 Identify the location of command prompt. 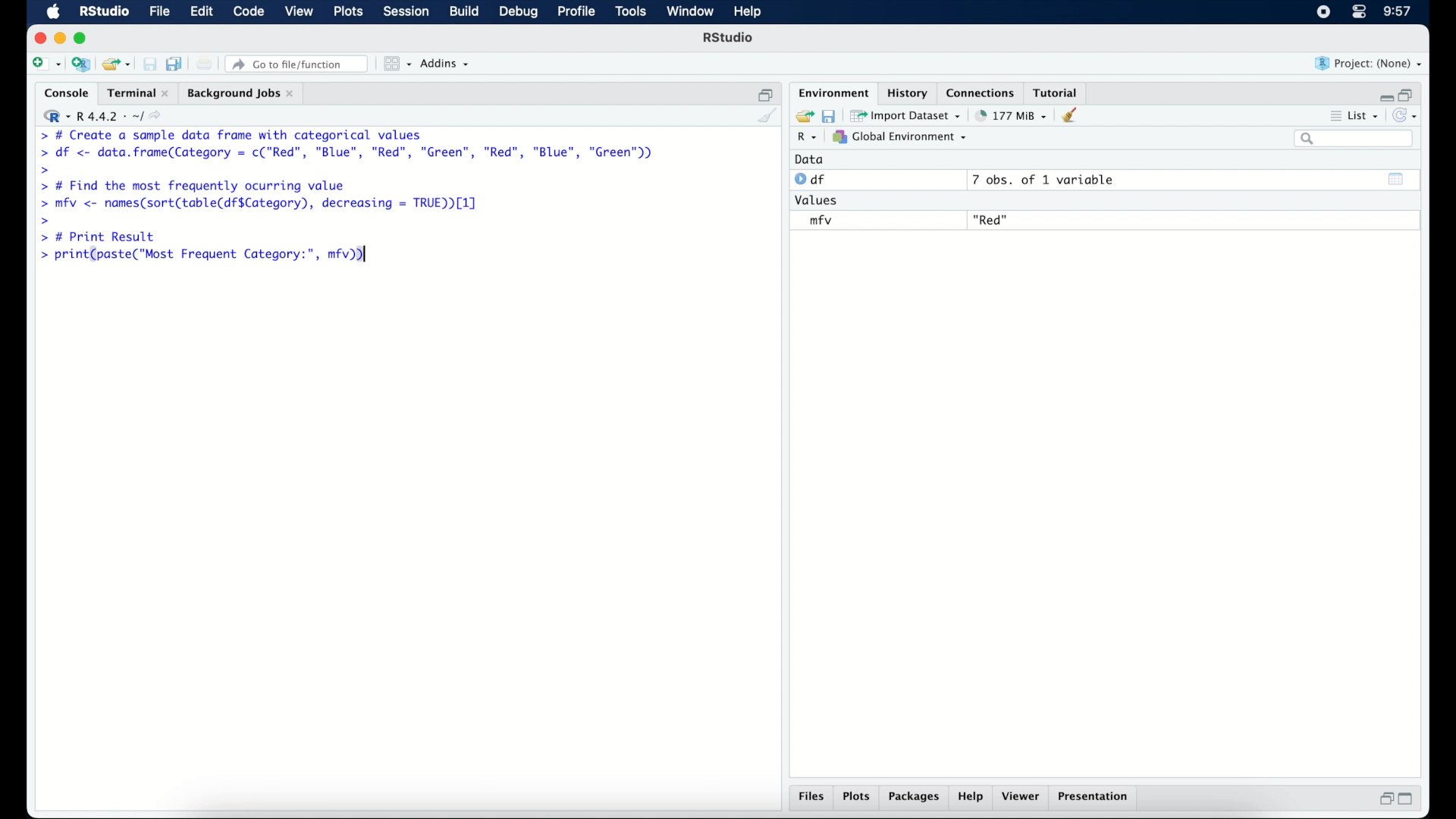
(45, 169).